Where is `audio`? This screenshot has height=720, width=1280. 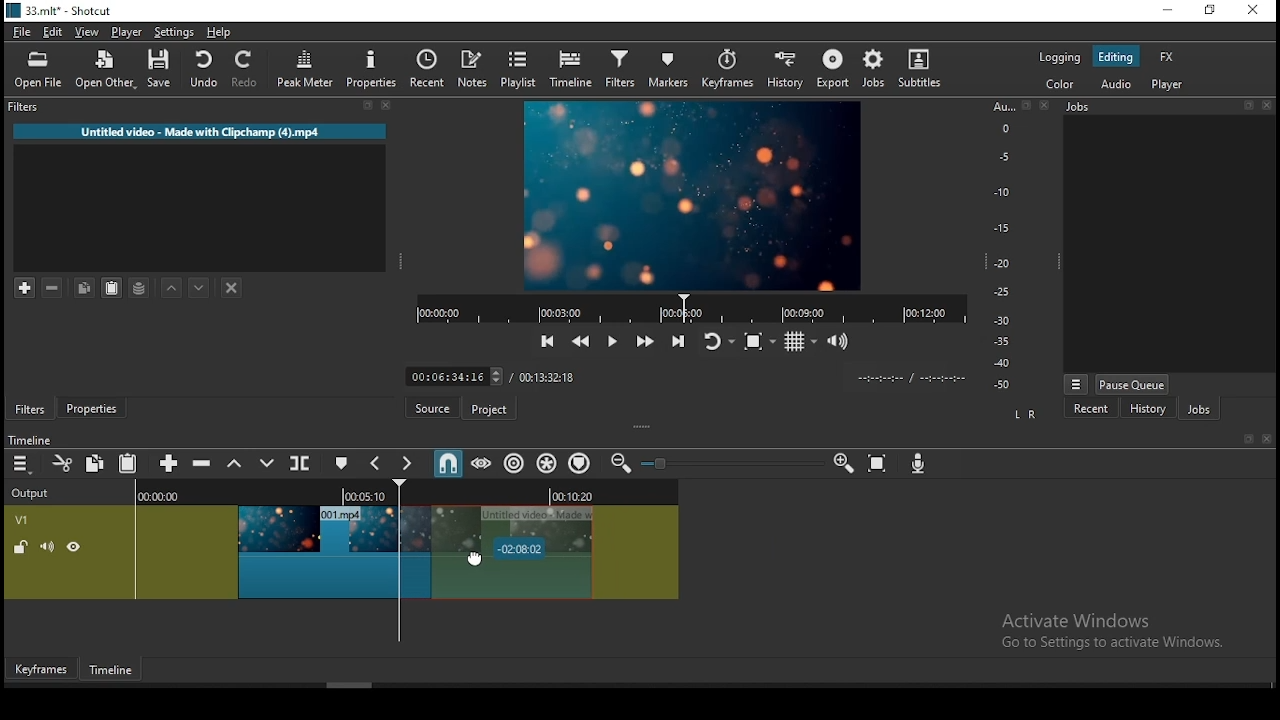 audio is located at coordinates (1117, 84).